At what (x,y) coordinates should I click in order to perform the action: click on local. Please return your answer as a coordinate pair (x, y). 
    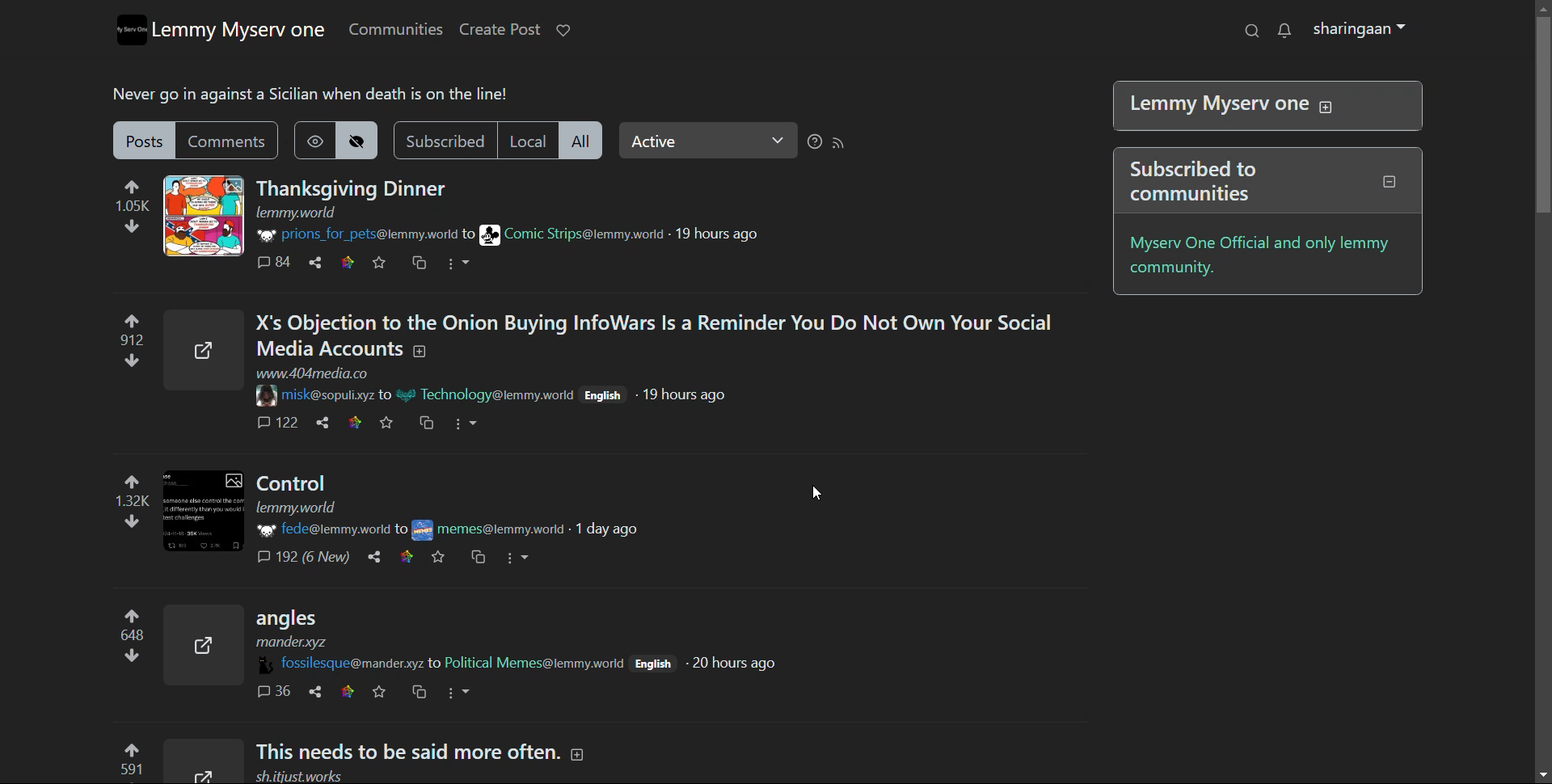
    Looking at the image, I should click on (527, 140).